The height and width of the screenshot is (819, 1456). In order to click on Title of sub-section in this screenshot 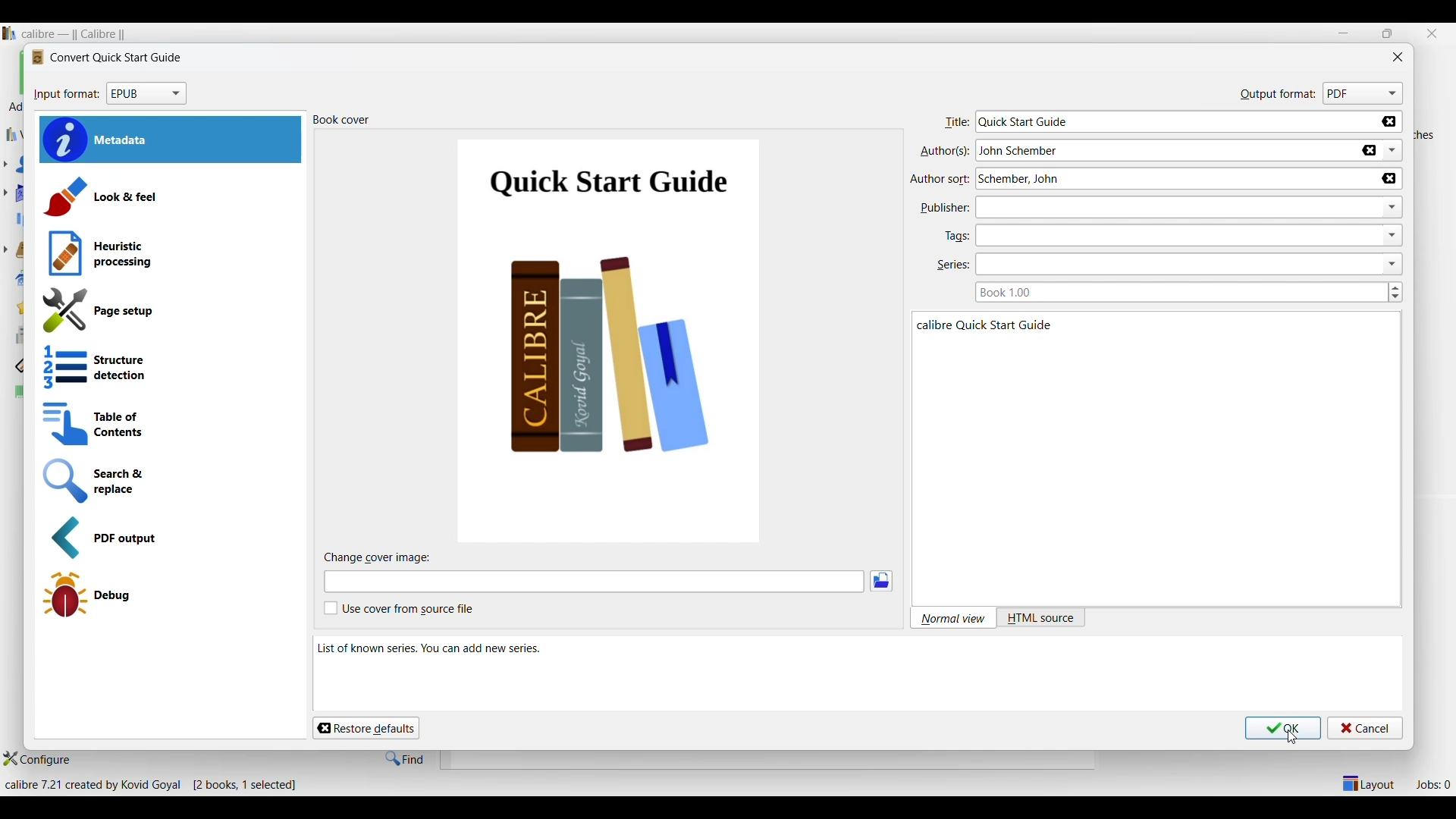, I will do `click(379, 557)`.